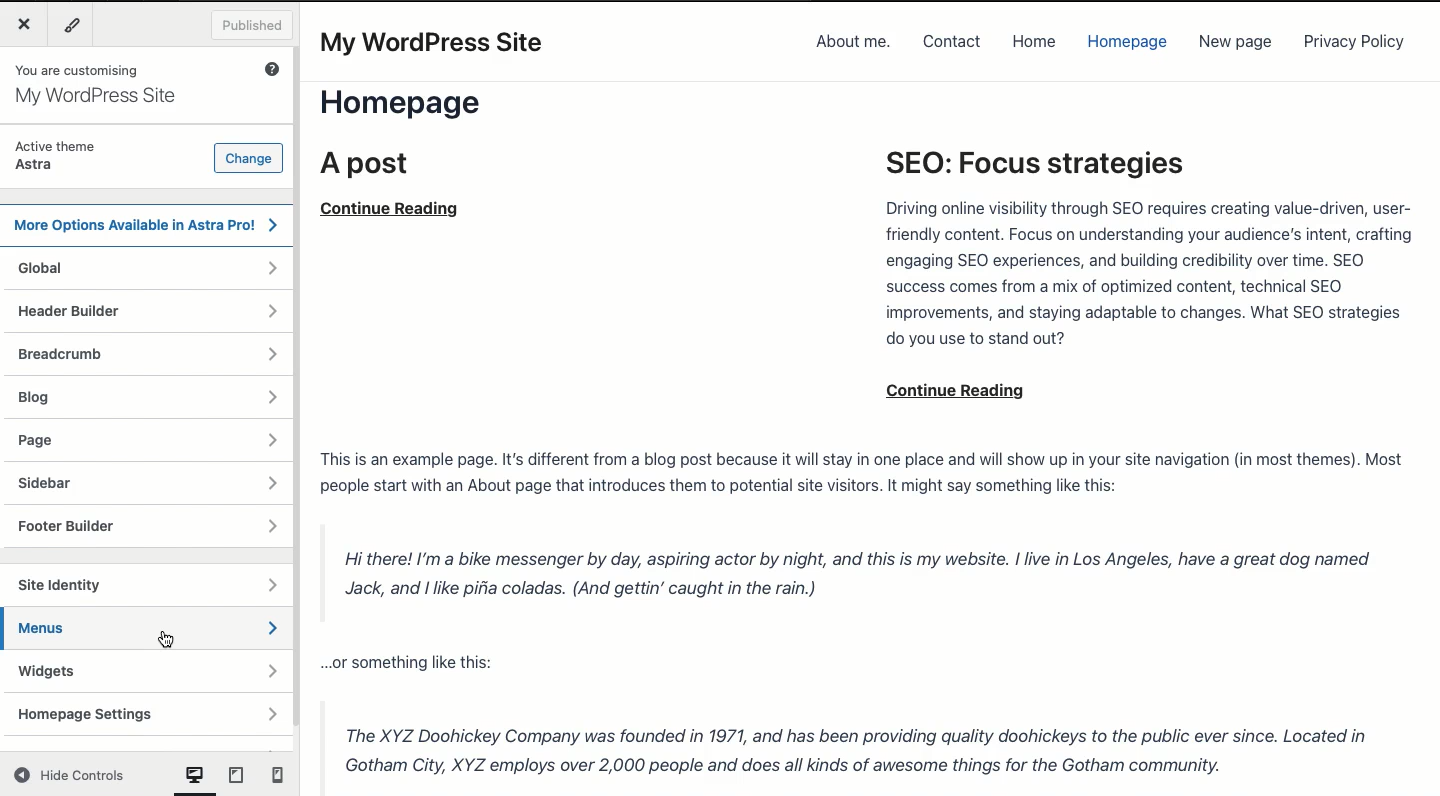 The height and width of the screenshot is (796, 1440). I want to click on Close, so click(23, 23).